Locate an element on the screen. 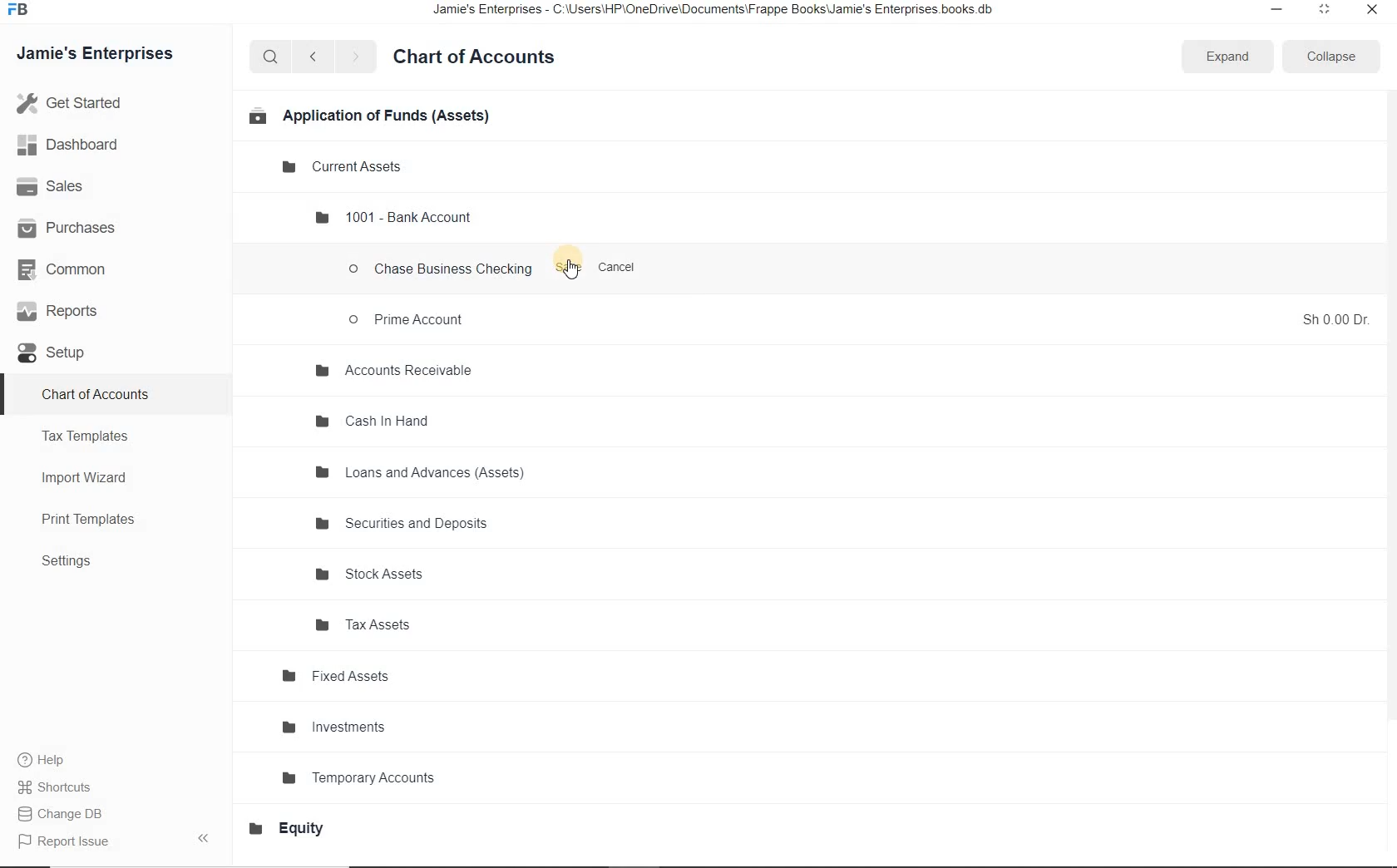  Dashboard is located at coordinates (86, 146).